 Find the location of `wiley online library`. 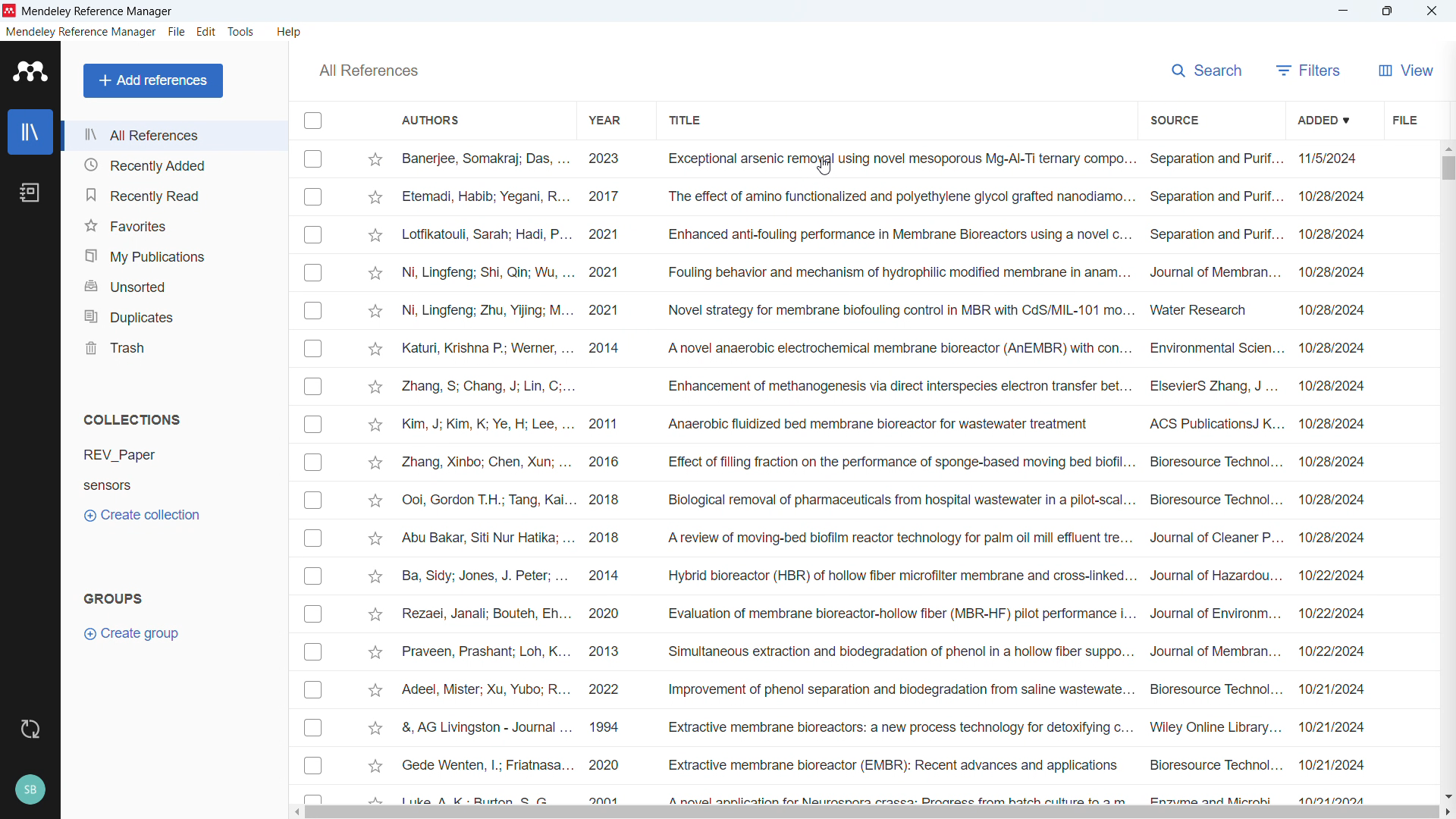

wiley online library is located at coordinates (1213, 730).